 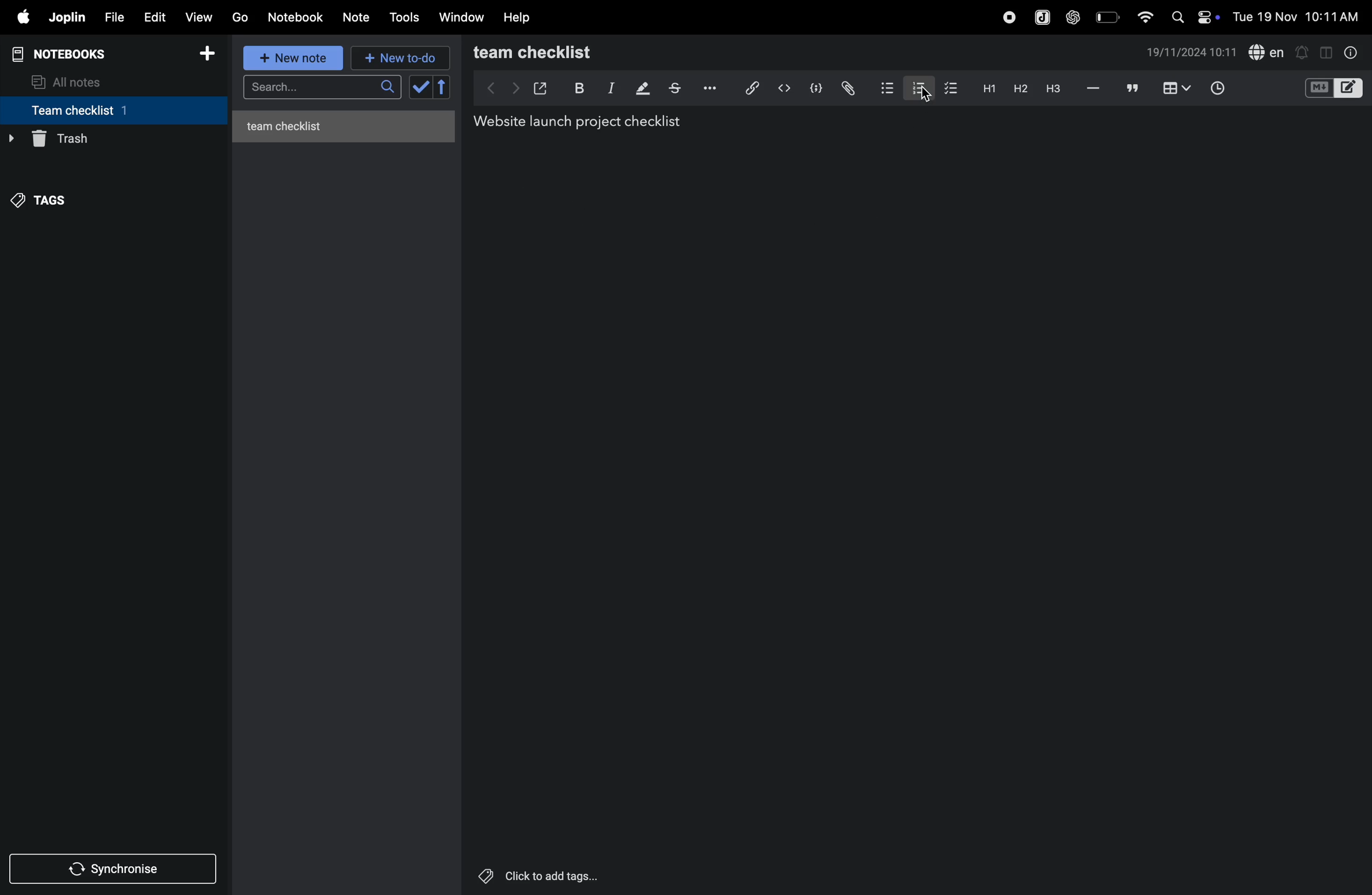 I want to click on file, so click(x=114, y=16).